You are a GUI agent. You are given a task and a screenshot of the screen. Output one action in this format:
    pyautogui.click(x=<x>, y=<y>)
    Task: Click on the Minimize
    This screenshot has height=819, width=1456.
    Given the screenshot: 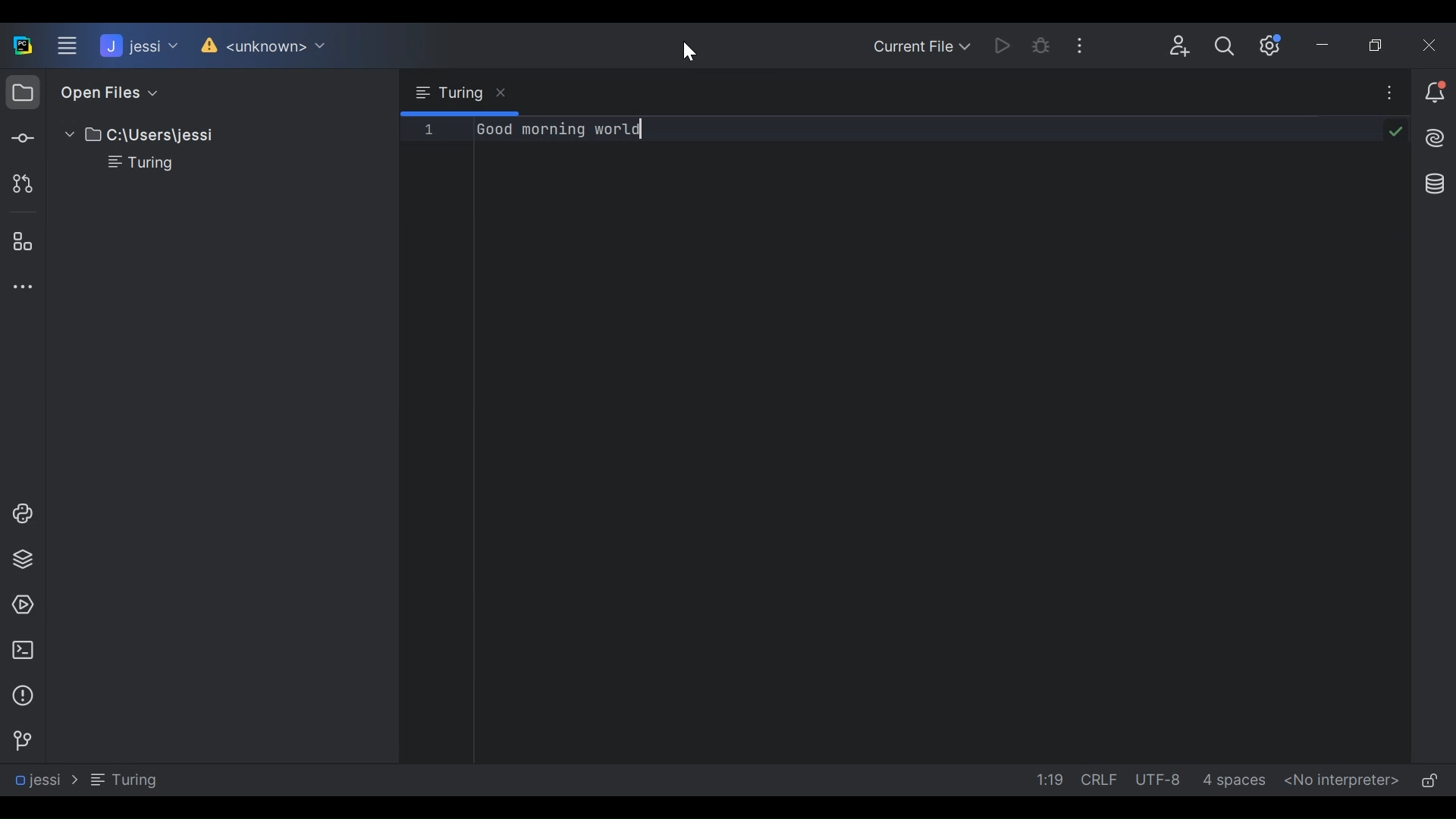 What is the action you would take?
    pyautogui.click(x=1328, y=45)
    